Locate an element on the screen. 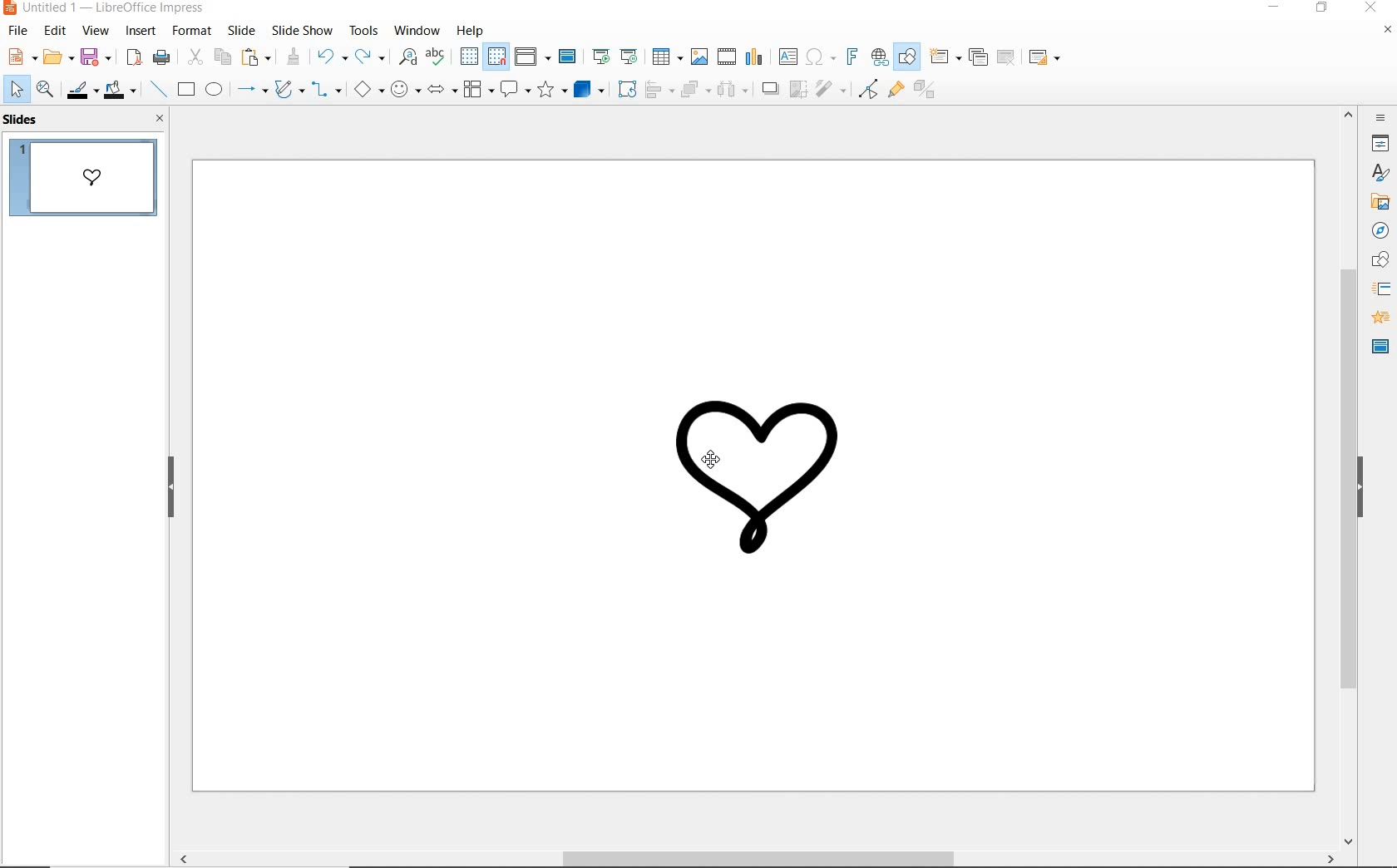 The image size is (1397, 868). new slide is located at coordinates (945, 57).